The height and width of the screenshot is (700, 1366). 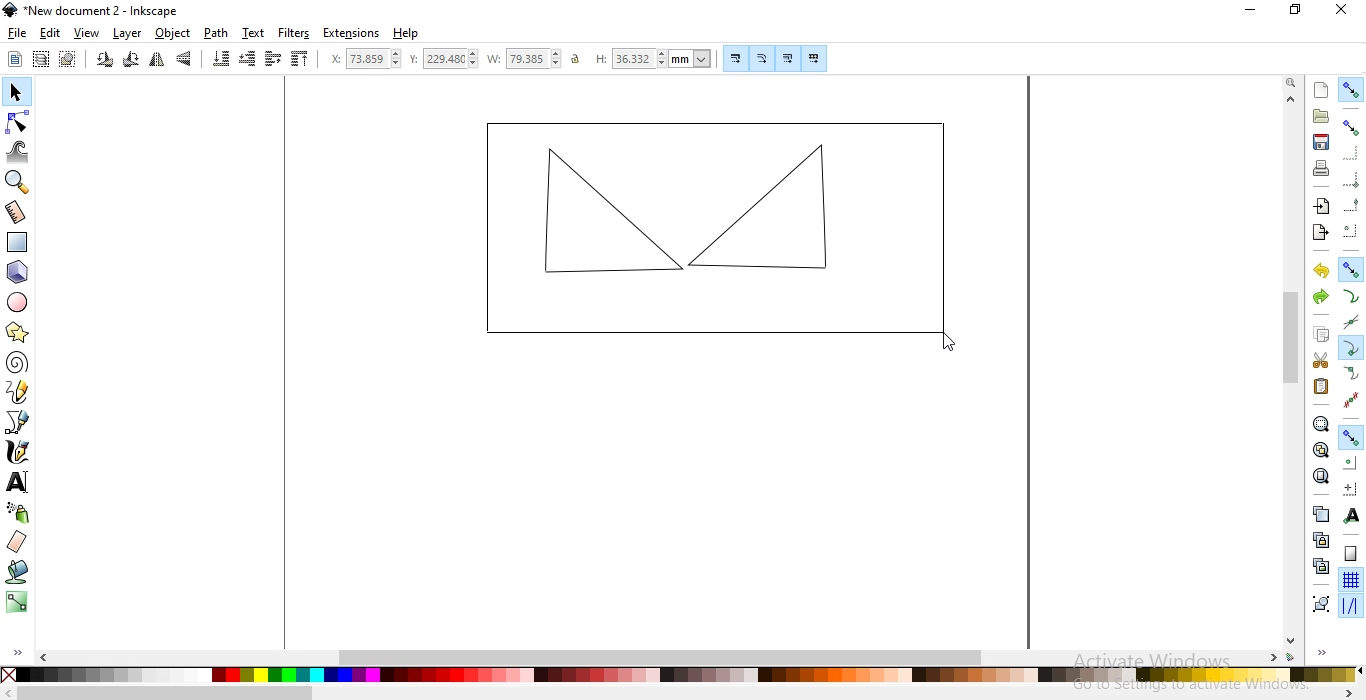 What do you see at coordinates (1289, 83) in the screenshot?
I see `zoom` at bounding box center [1289, 83].